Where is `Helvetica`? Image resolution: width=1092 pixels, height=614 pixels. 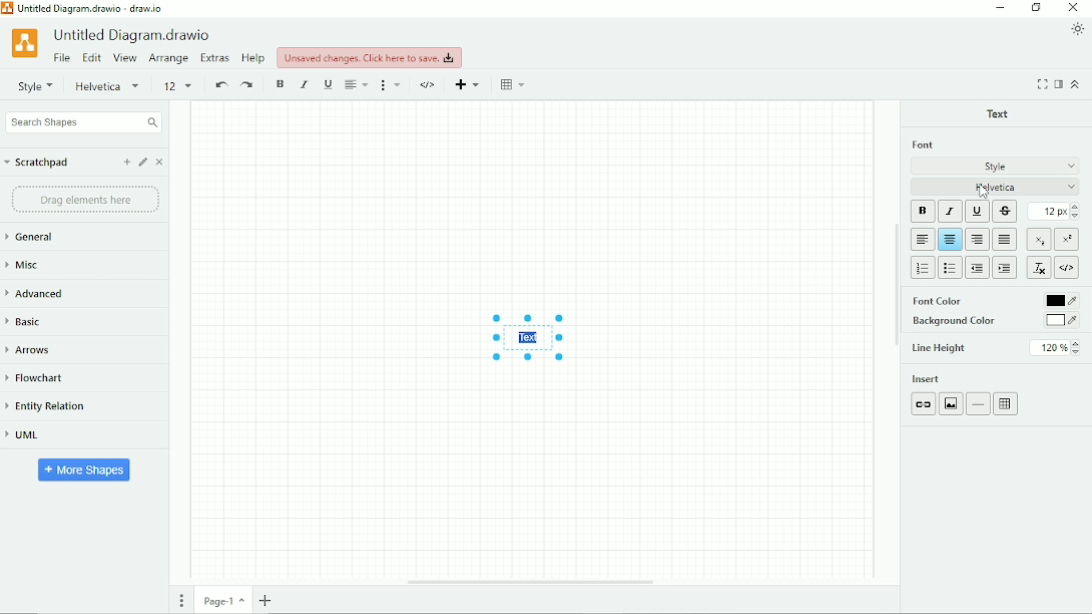 Helvetica is located at coordinates (997, 187).